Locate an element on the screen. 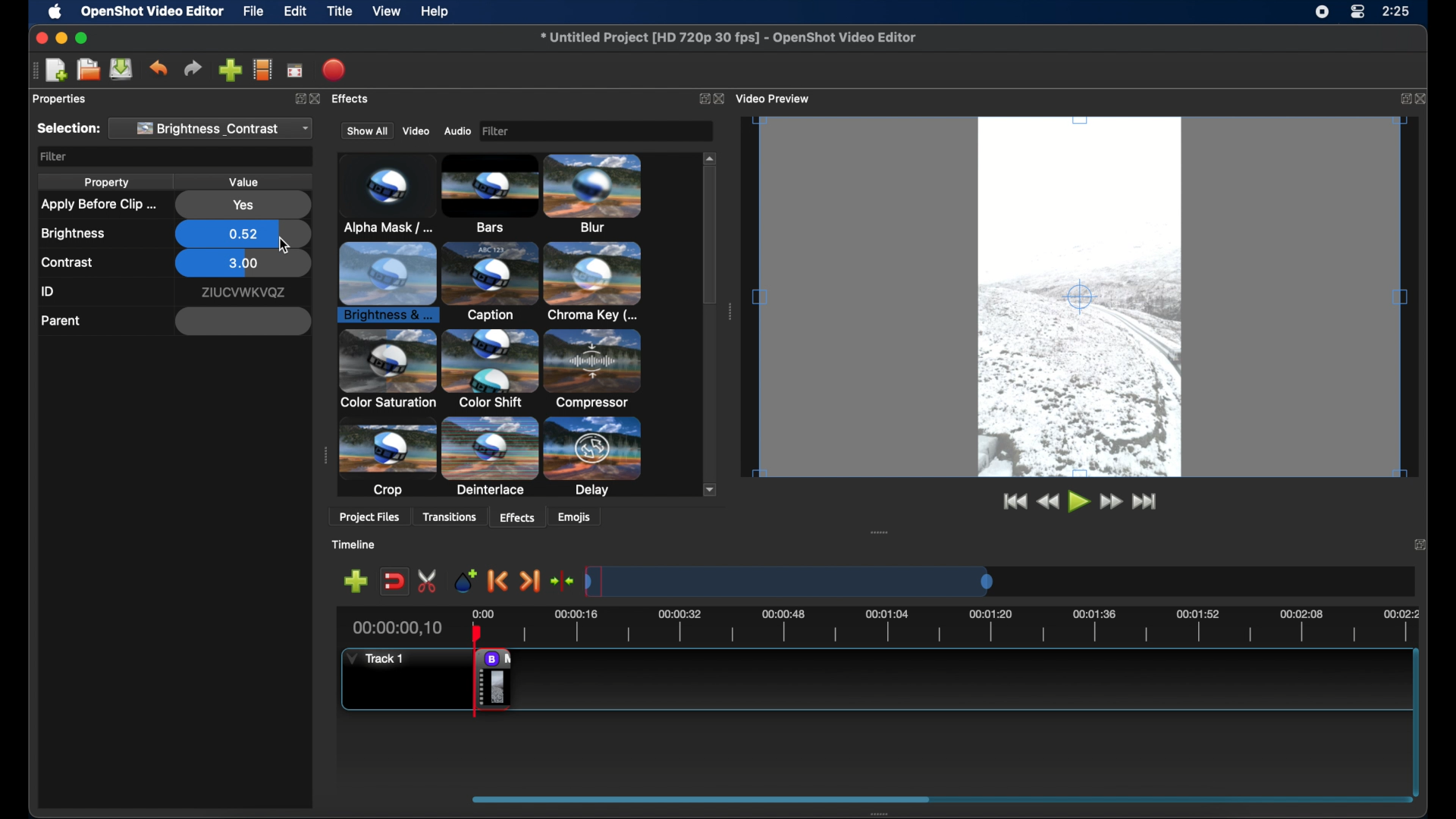 The width and height of the screenshot is (1456, 819). Task 1 is located at coordinates (381, 660).